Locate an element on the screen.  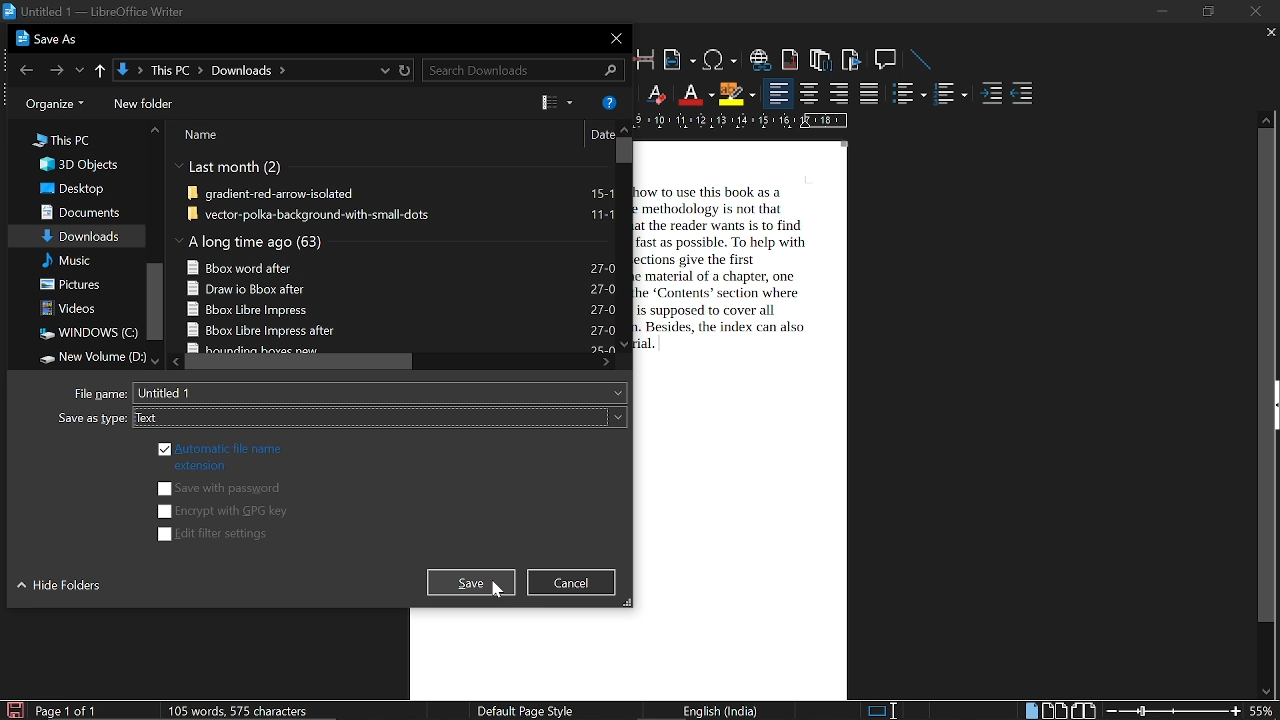
minimize is located at coordinates (1160, 12).